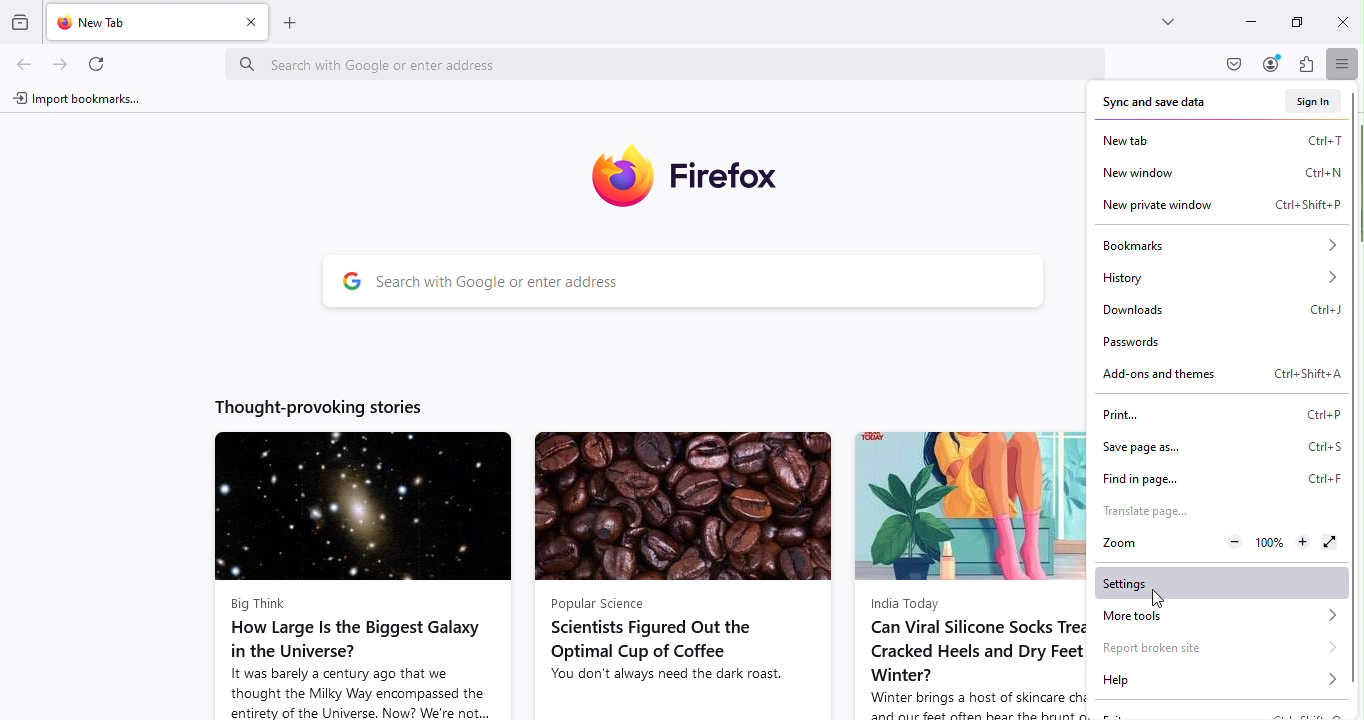 The image size is (1364, 720). Describe the element at coordinates (1307, 64) in the screenshot. I see `Extensions` at that location.